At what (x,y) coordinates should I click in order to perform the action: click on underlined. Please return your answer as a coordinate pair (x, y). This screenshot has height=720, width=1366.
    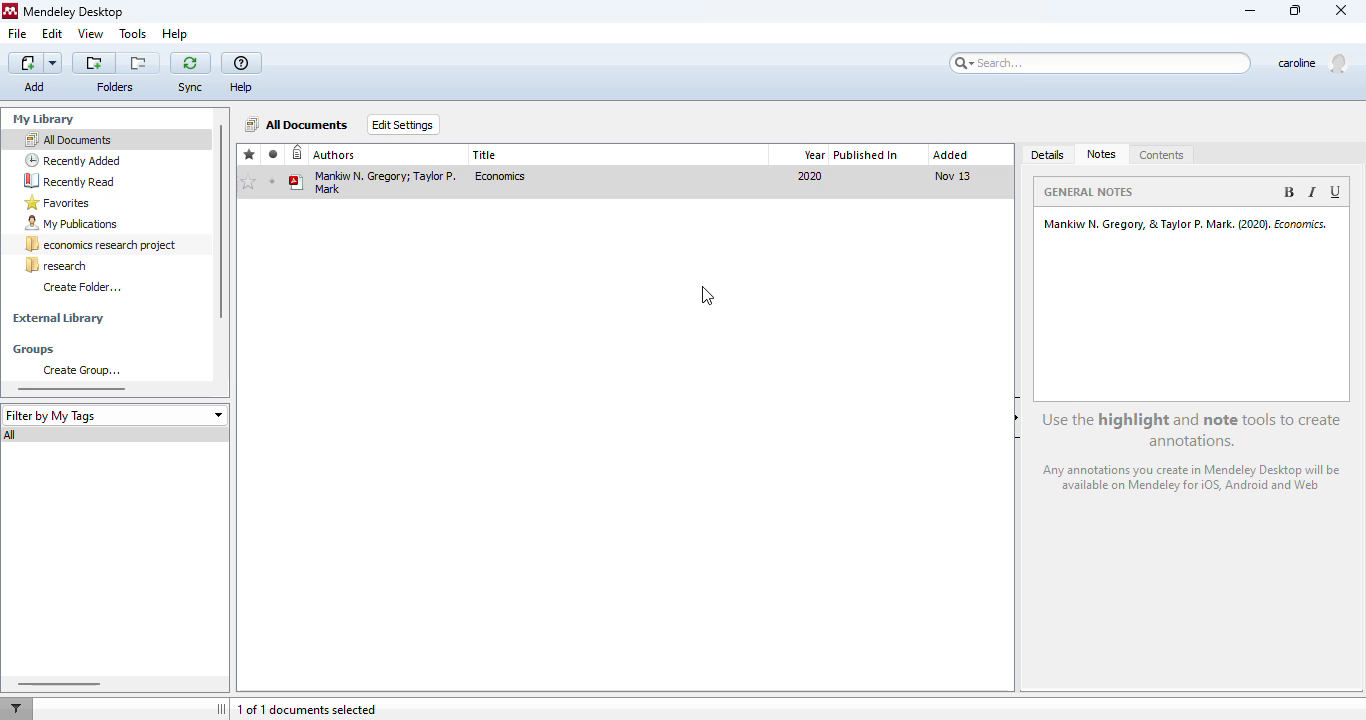
    Looking at the image, I should click on (1337, 192).